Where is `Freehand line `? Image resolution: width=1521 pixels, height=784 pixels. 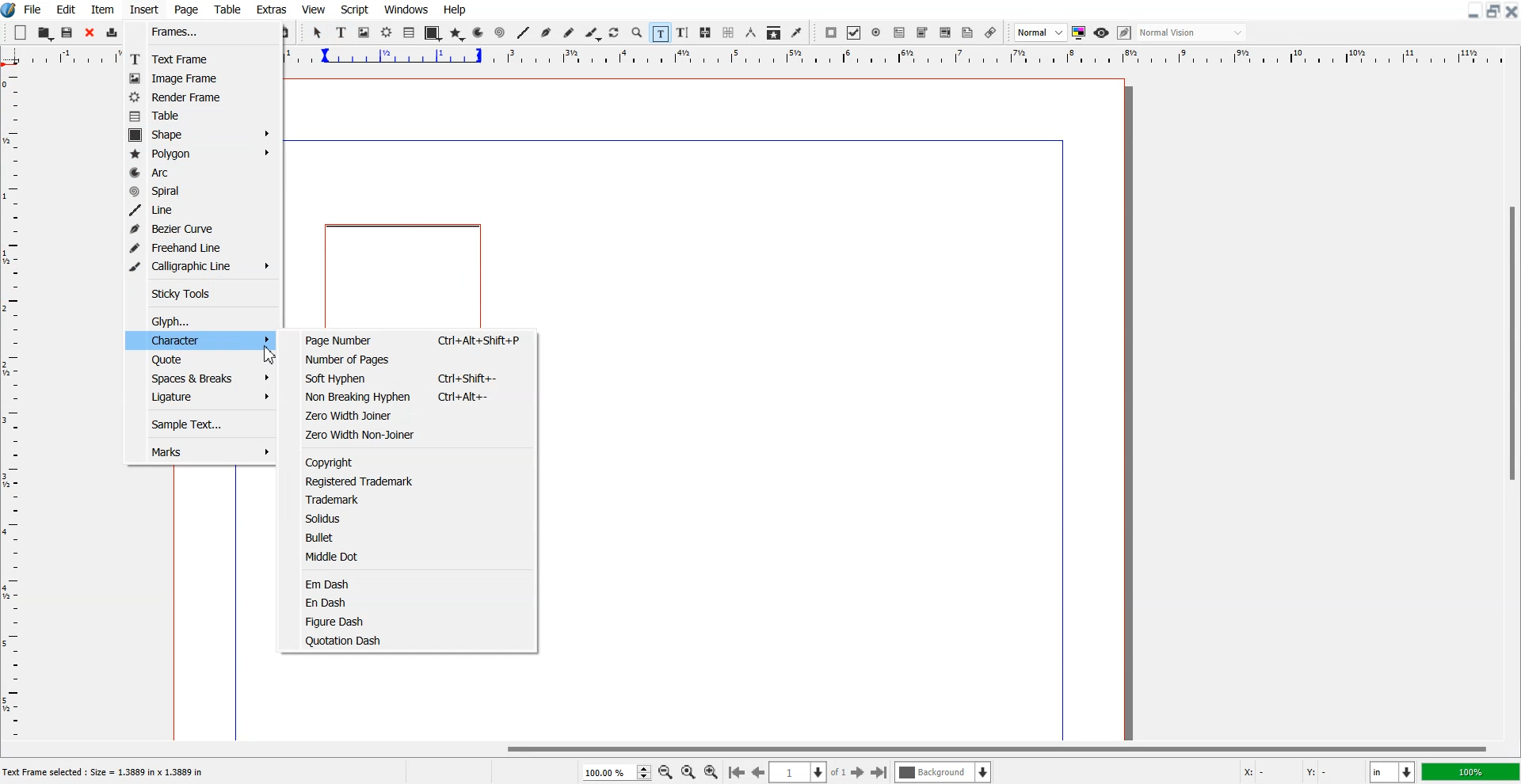 Freehand line  is located at coordinates (569, 33).